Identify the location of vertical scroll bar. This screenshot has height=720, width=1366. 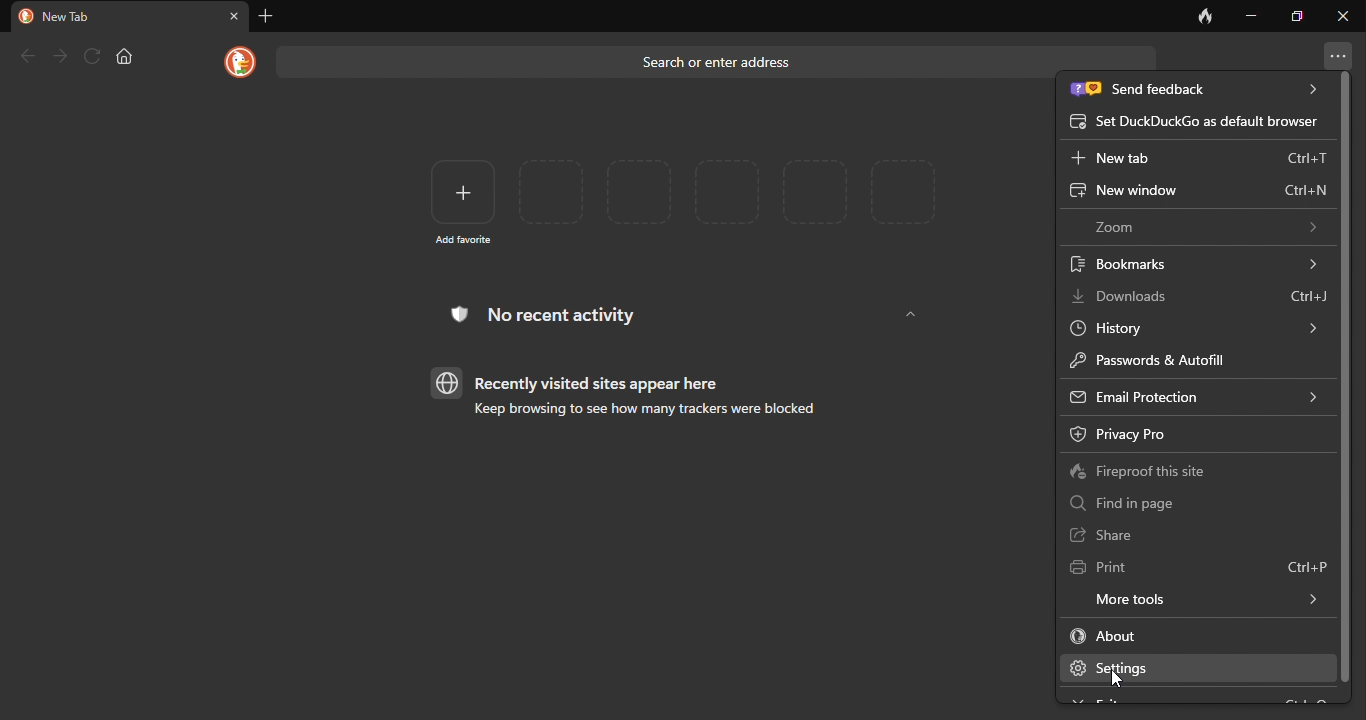
(1346, 377).